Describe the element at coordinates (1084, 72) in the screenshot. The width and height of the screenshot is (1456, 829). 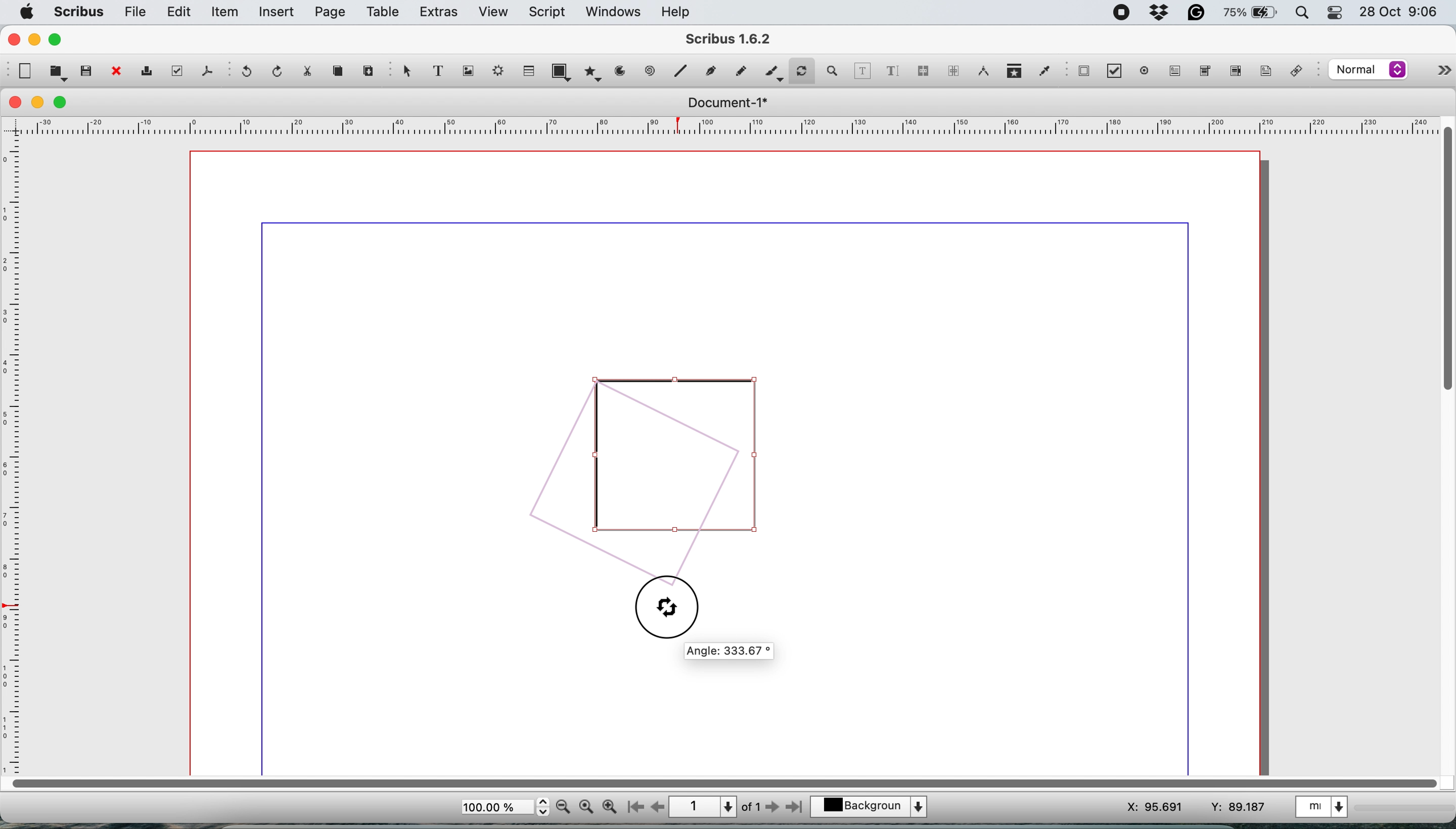
I see `pdf push button` at that location.